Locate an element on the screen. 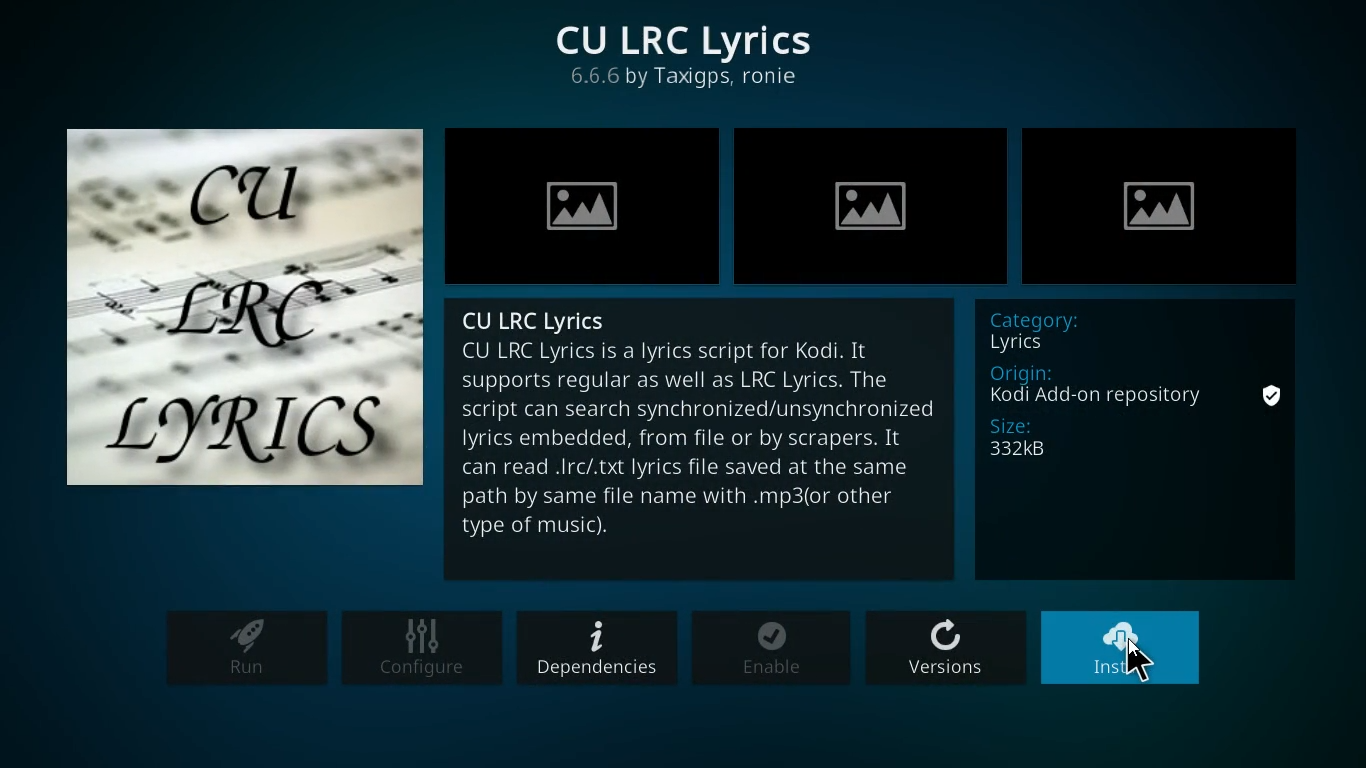 This screenshot has height=768, width=1366. description is located at coordinates (698, 453).